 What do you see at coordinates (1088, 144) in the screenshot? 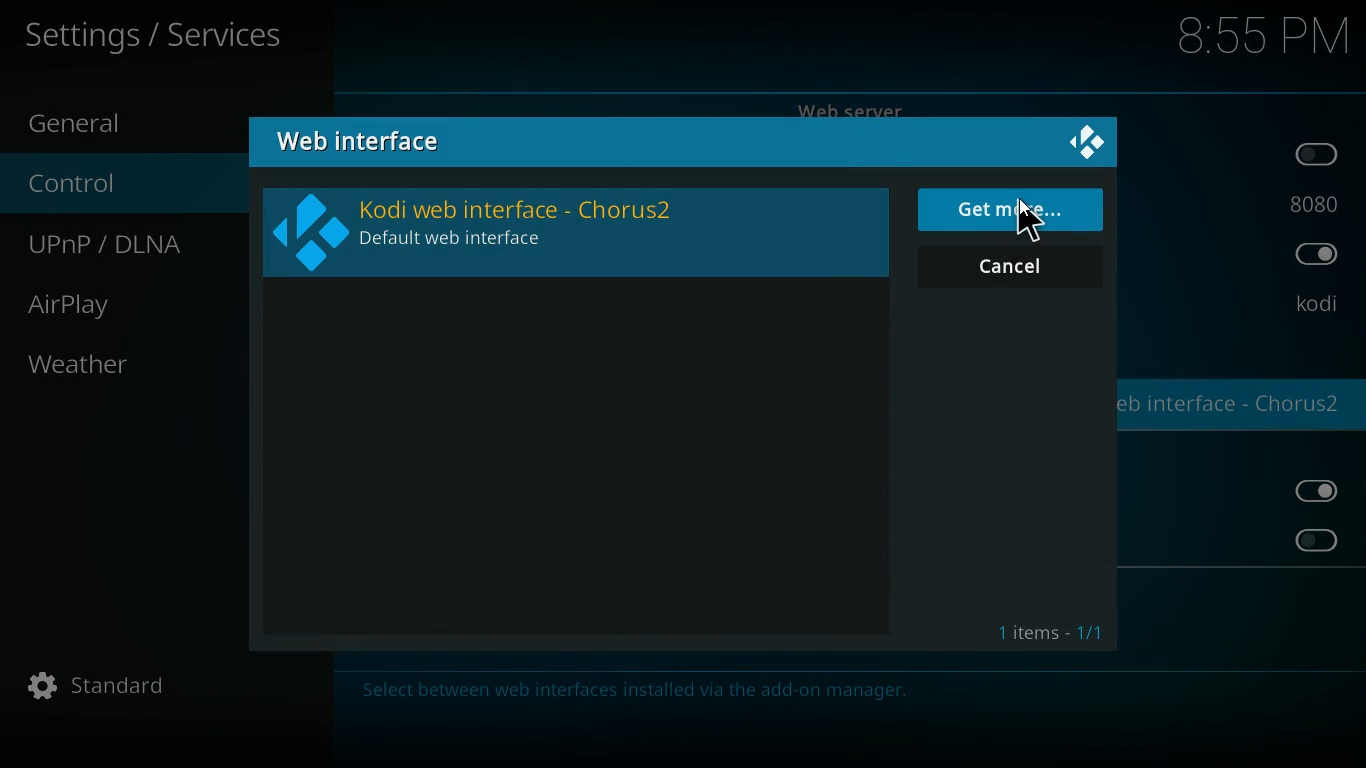
I see `kodi logo` at bounding box center [1088, 144].